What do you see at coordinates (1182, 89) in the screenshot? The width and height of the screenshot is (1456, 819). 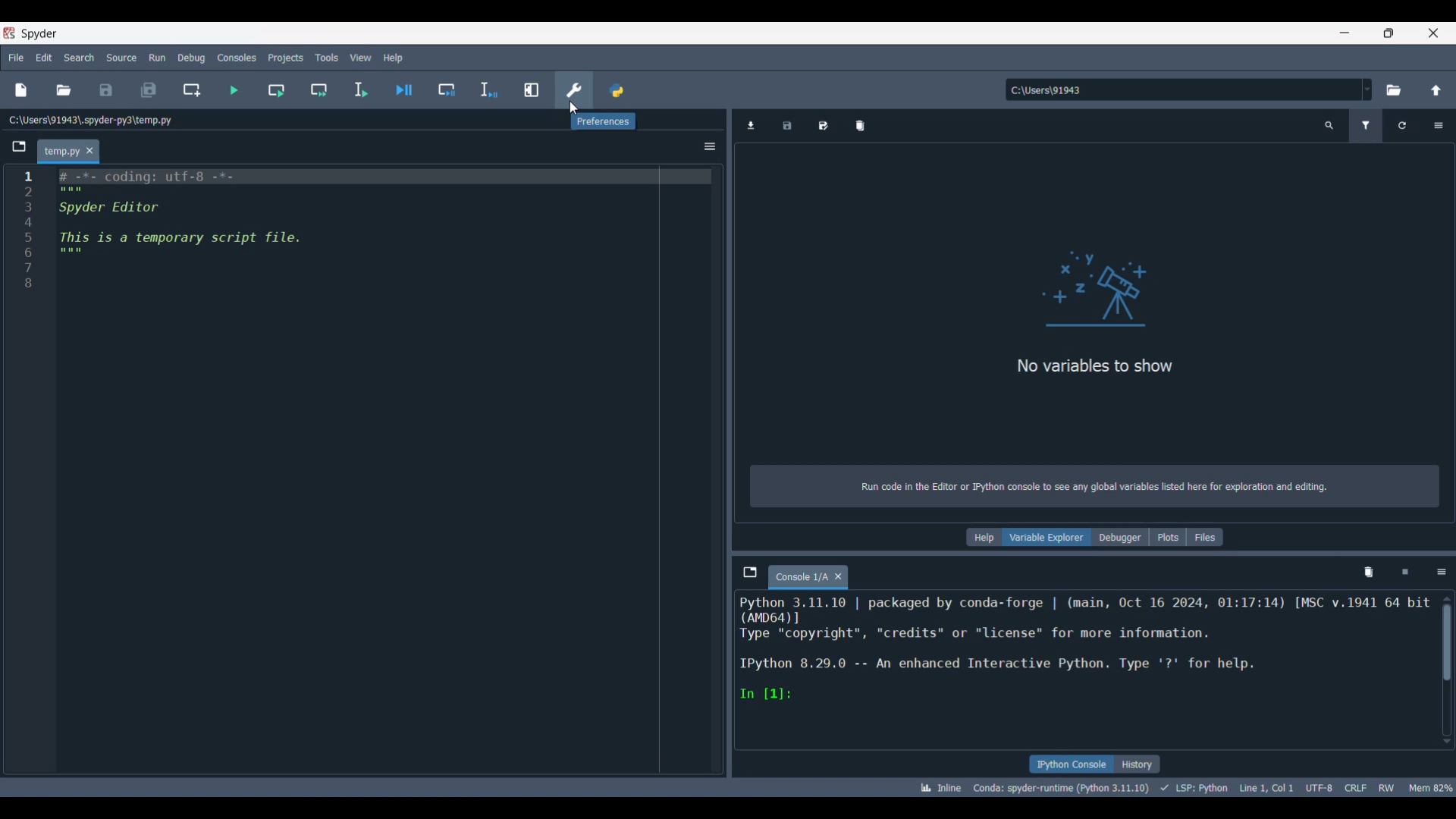 I see `Enter location` at bounding box center [1182, 89].